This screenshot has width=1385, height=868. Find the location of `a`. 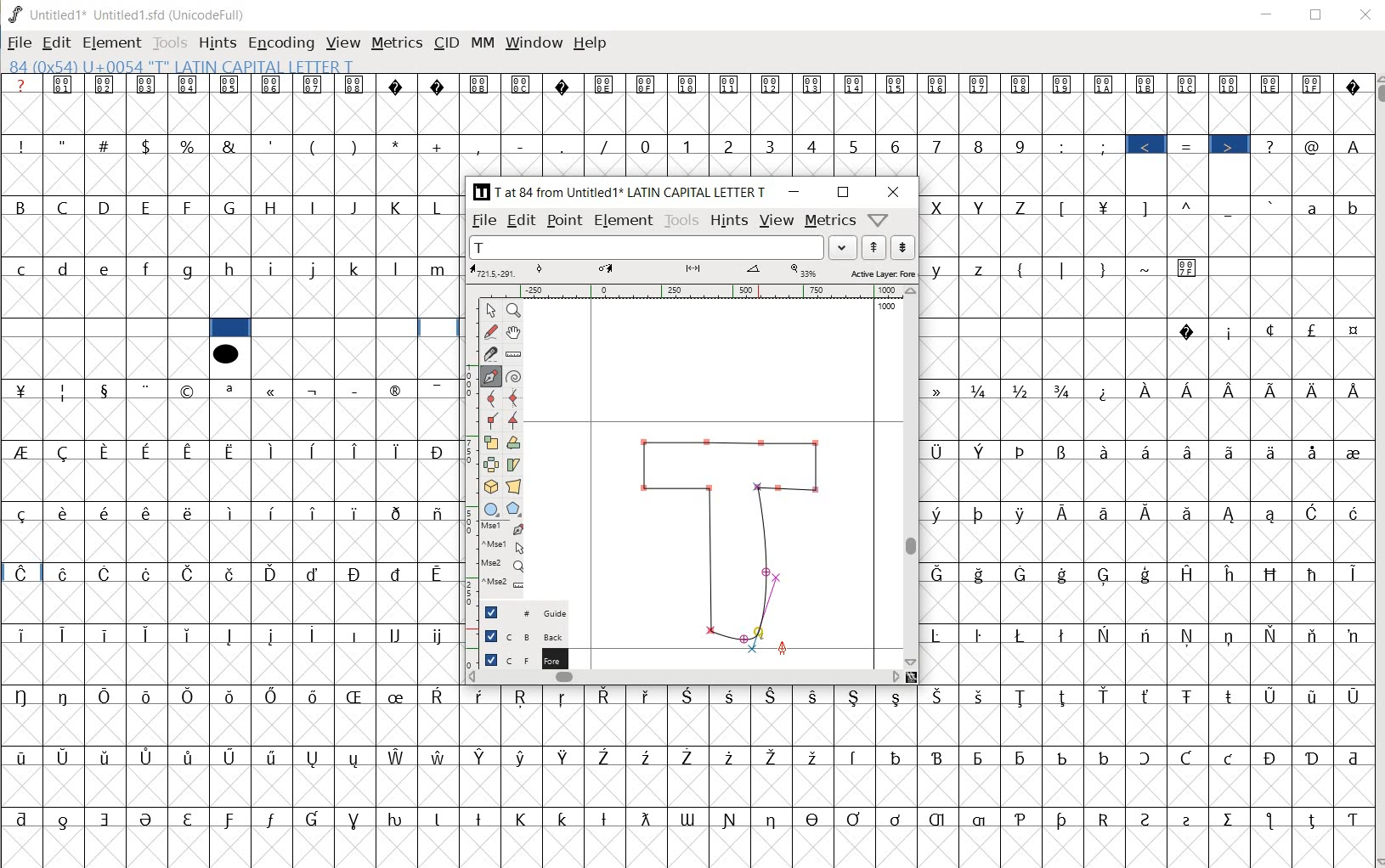

a is located at coordinates (1314, 206).